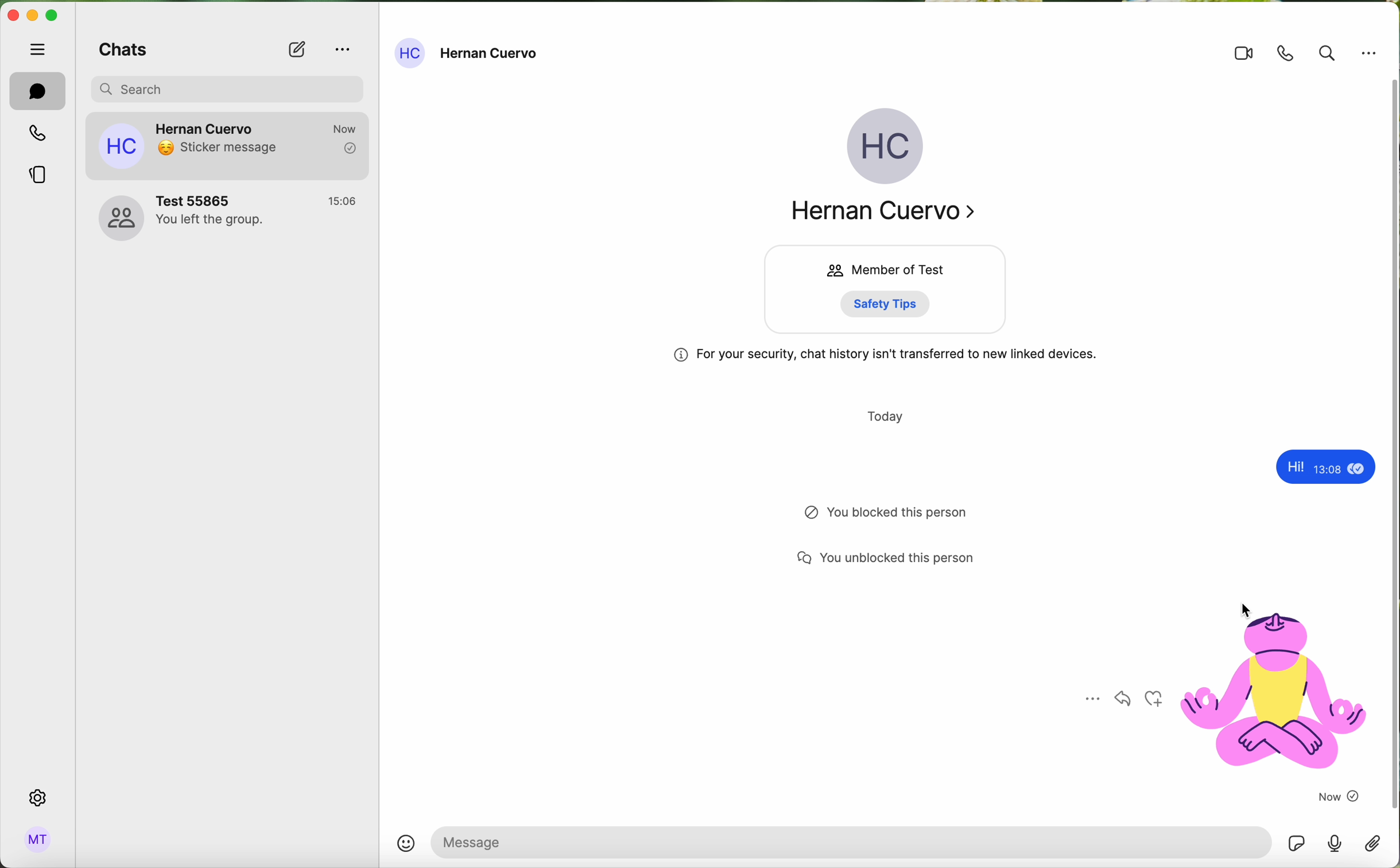  What do you see at coordinates (888, 148) in the screenshot?
I see `Hc` at bounding box center [888, 148].